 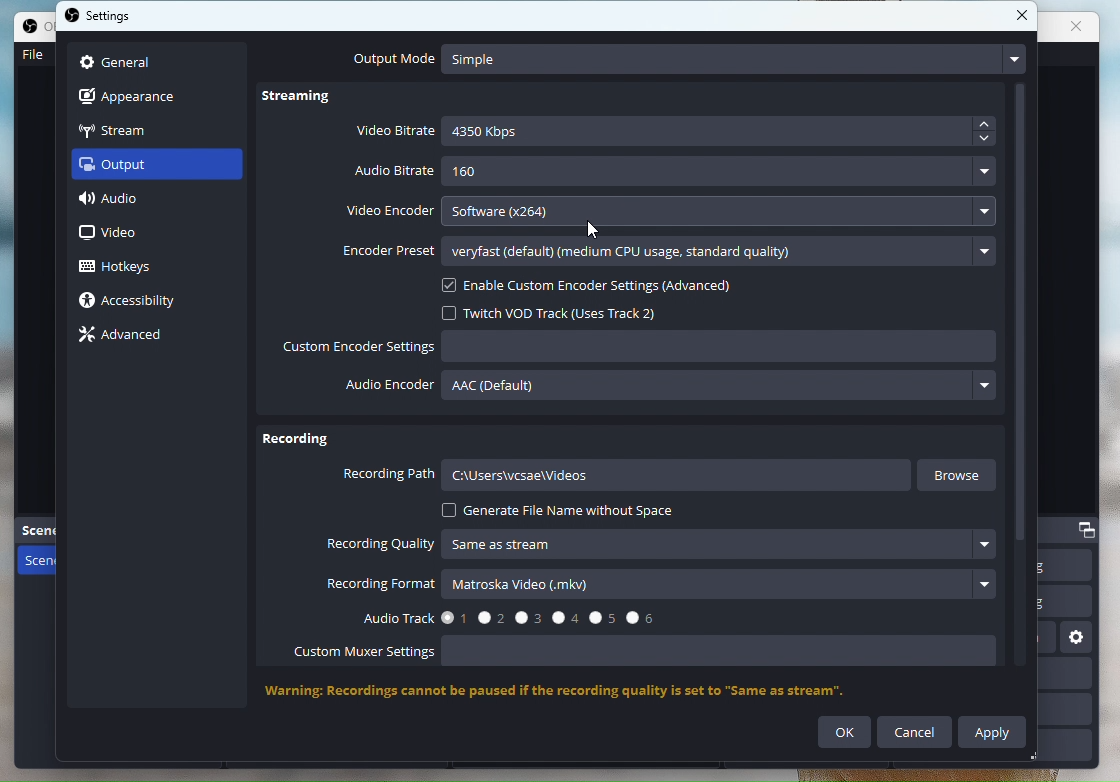 What do you see at coordinates (1024, 17) in the screenshot?
I see `close` at bounding box center [1024, 17].